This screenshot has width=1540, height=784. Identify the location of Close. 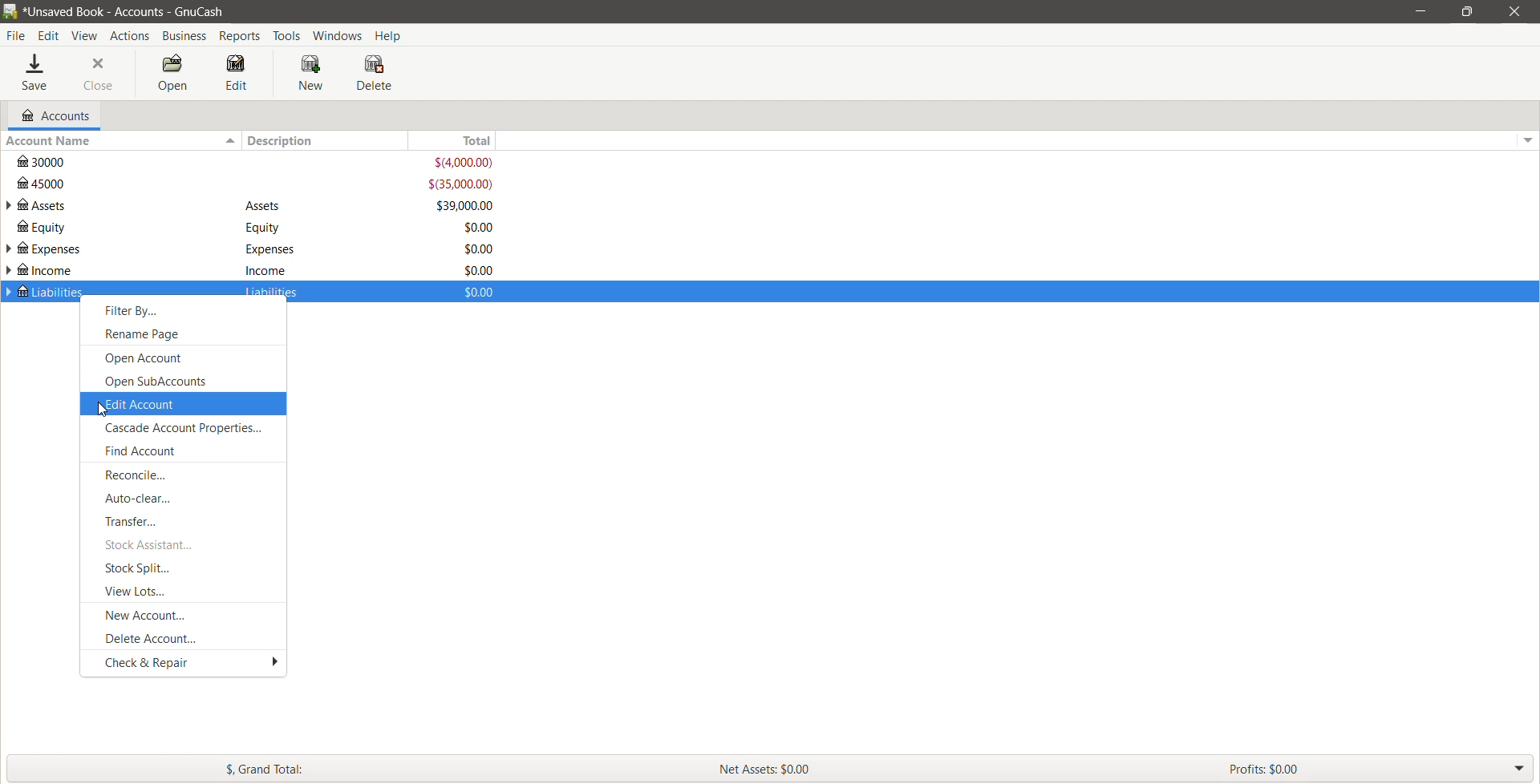
(99, 74).